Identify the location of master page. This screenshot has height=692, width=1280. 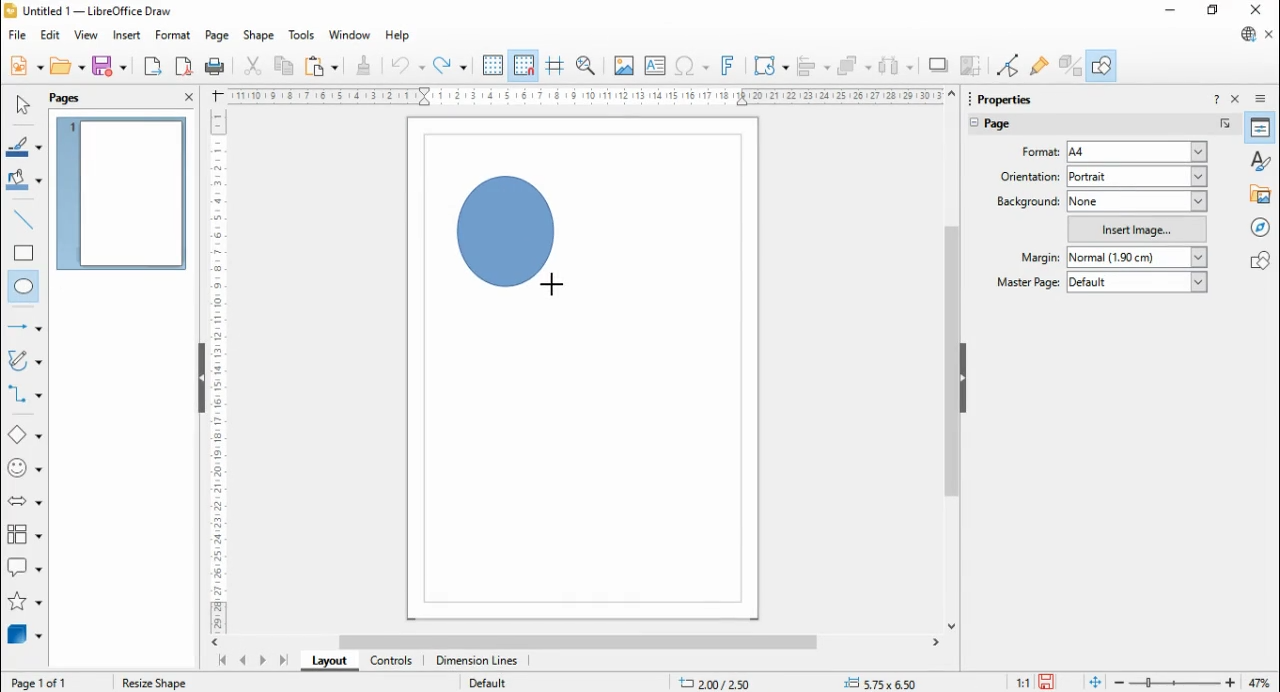
(1030, 281).